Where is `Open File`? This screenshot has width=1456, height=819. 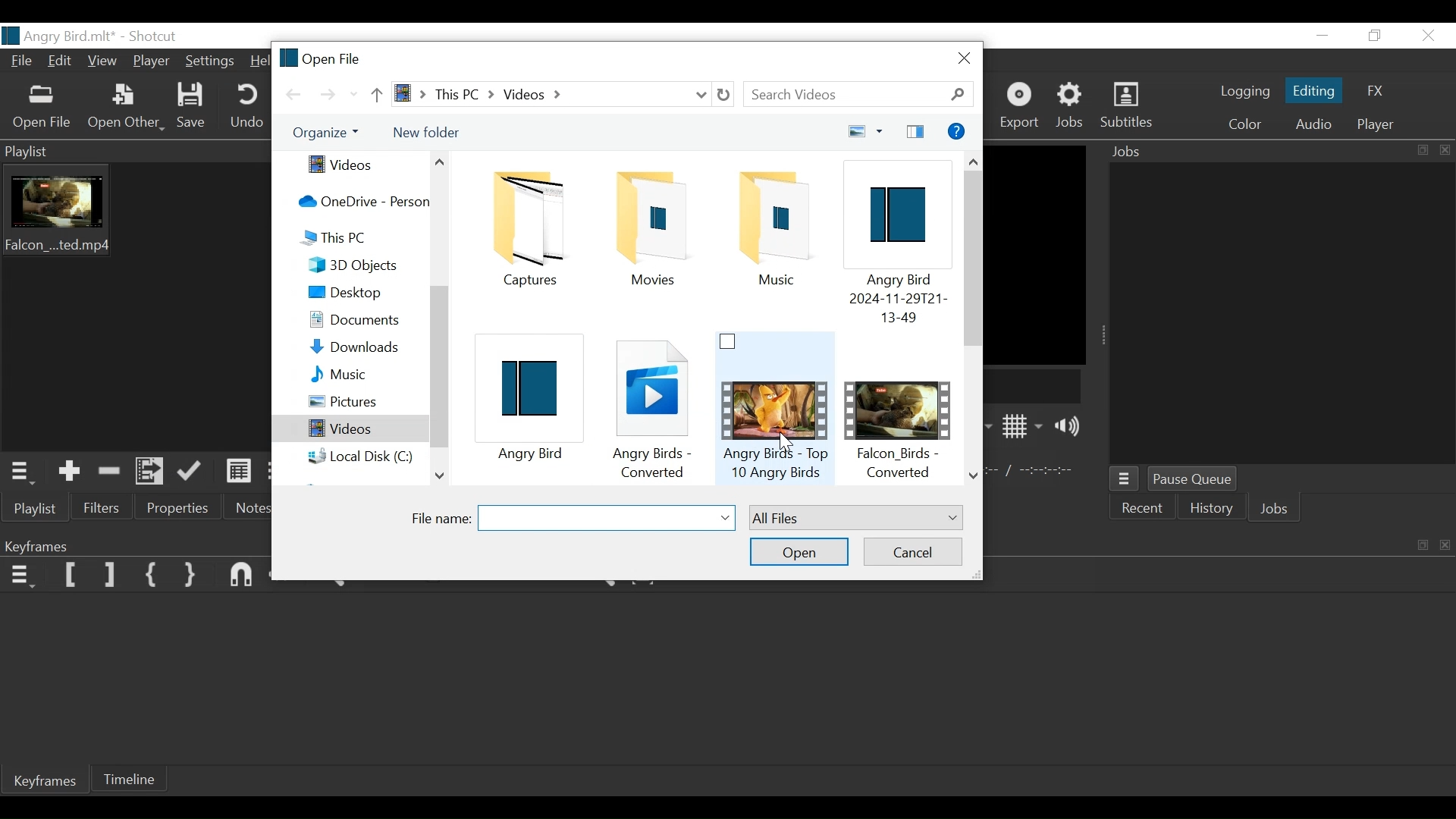
Open File is located at coordinates (319, 60).